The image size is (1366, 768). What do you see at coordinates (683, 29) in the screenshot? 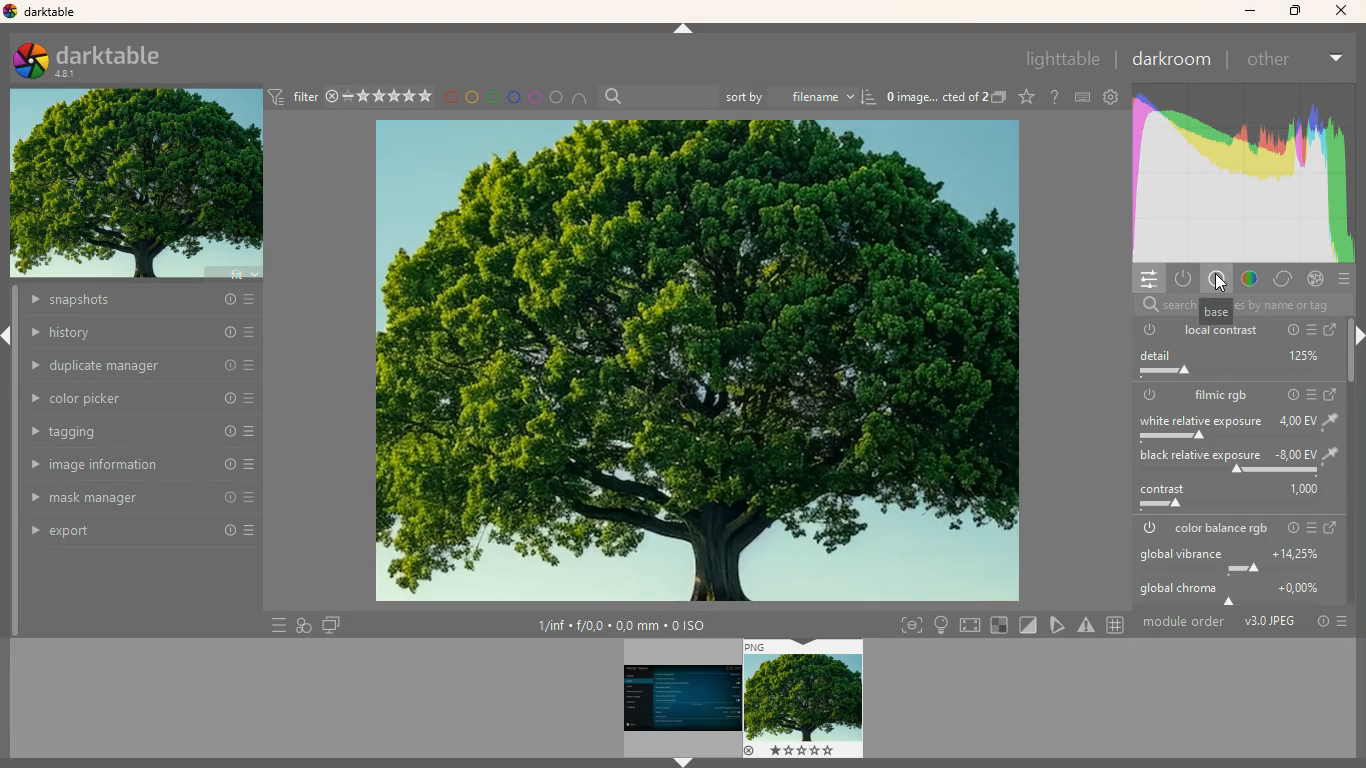
I see `arrow` at bounding box center [683, 29].